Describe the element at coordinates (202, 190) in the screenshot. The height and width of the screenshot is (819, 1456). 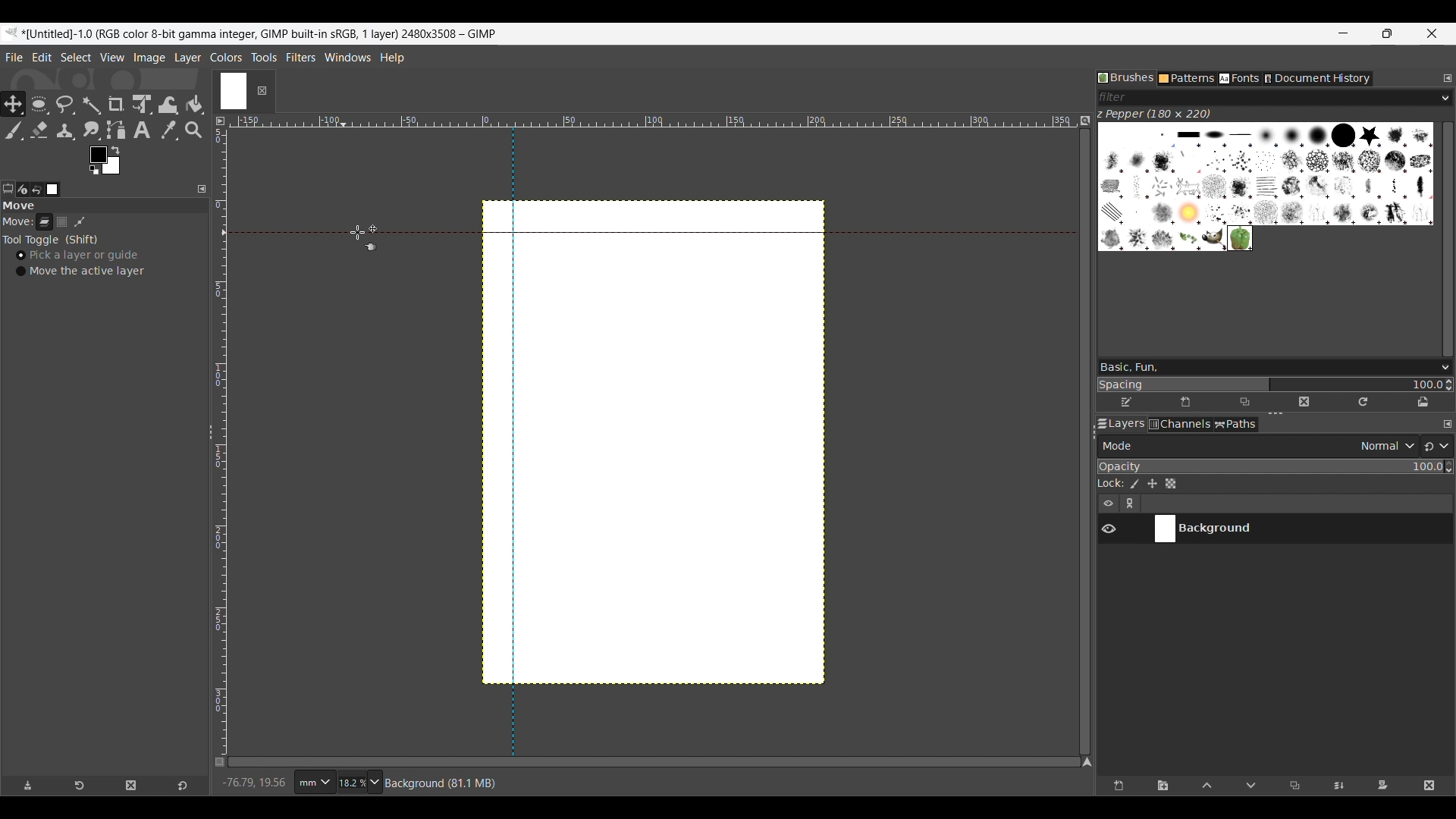
I see `Configure this tab` at that location.